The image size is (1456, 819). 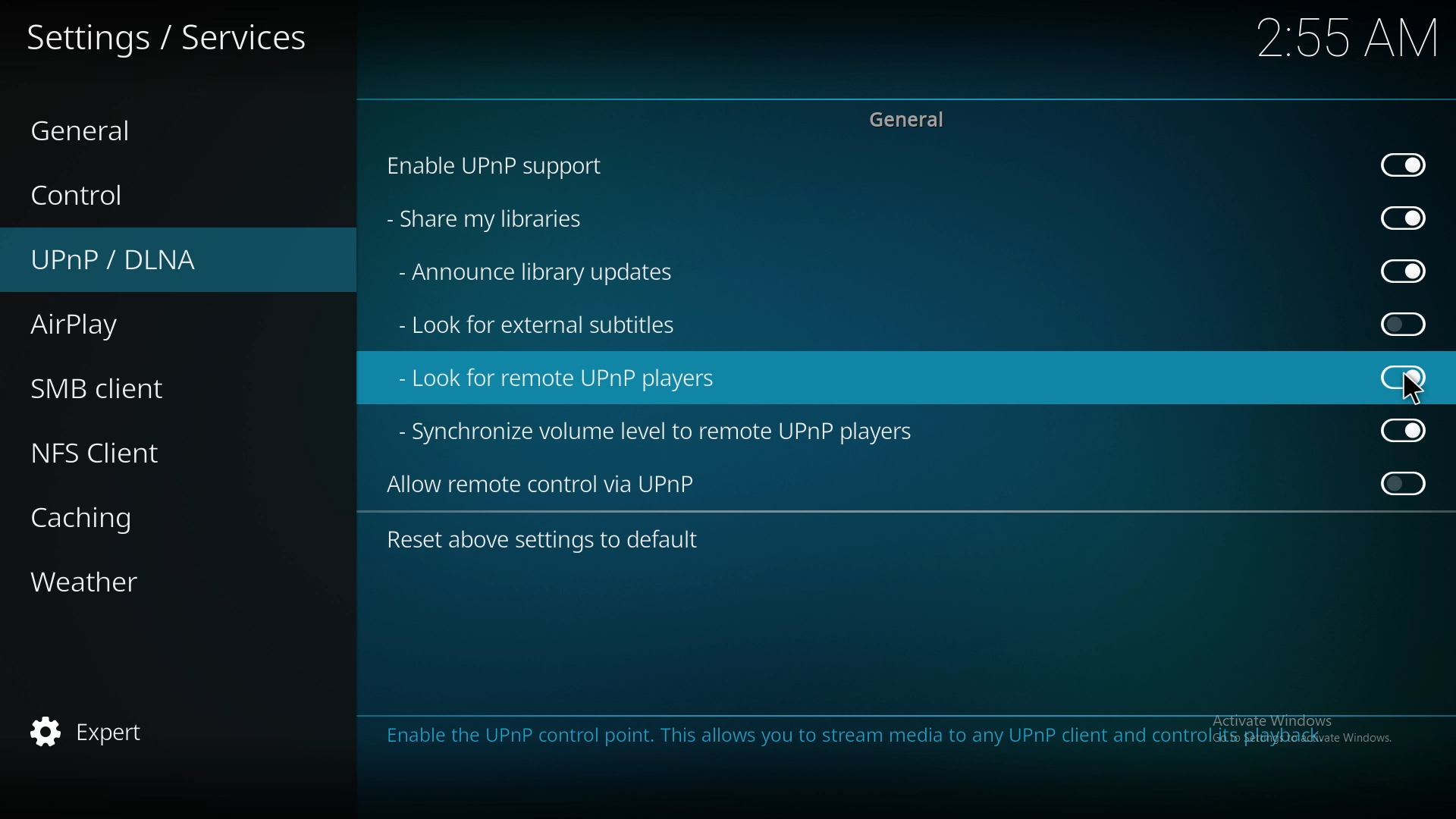 I want to click on airplay, so click(x=105, y=327).